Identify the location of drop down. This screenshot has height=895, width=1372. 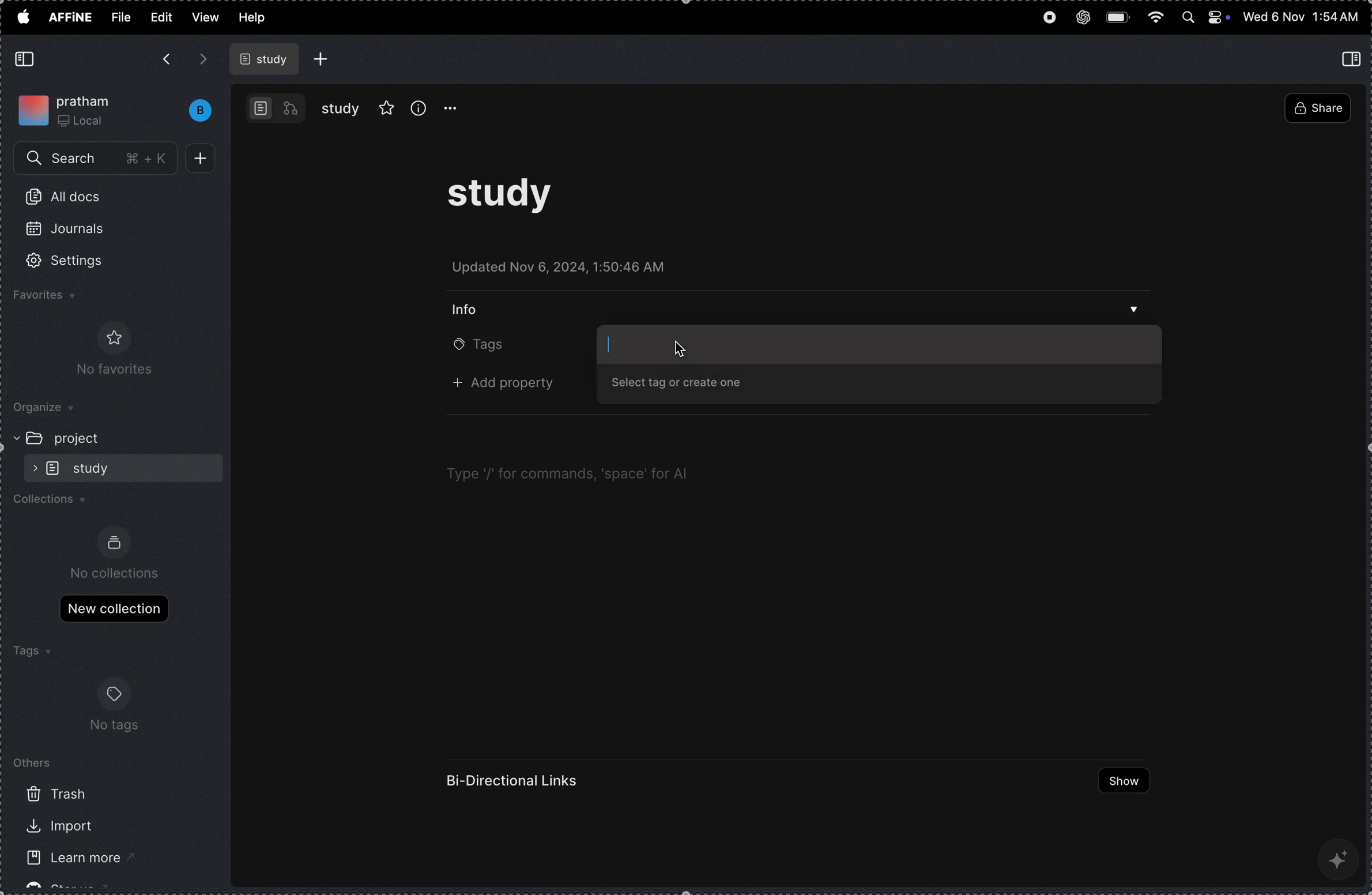
(1134, 312).